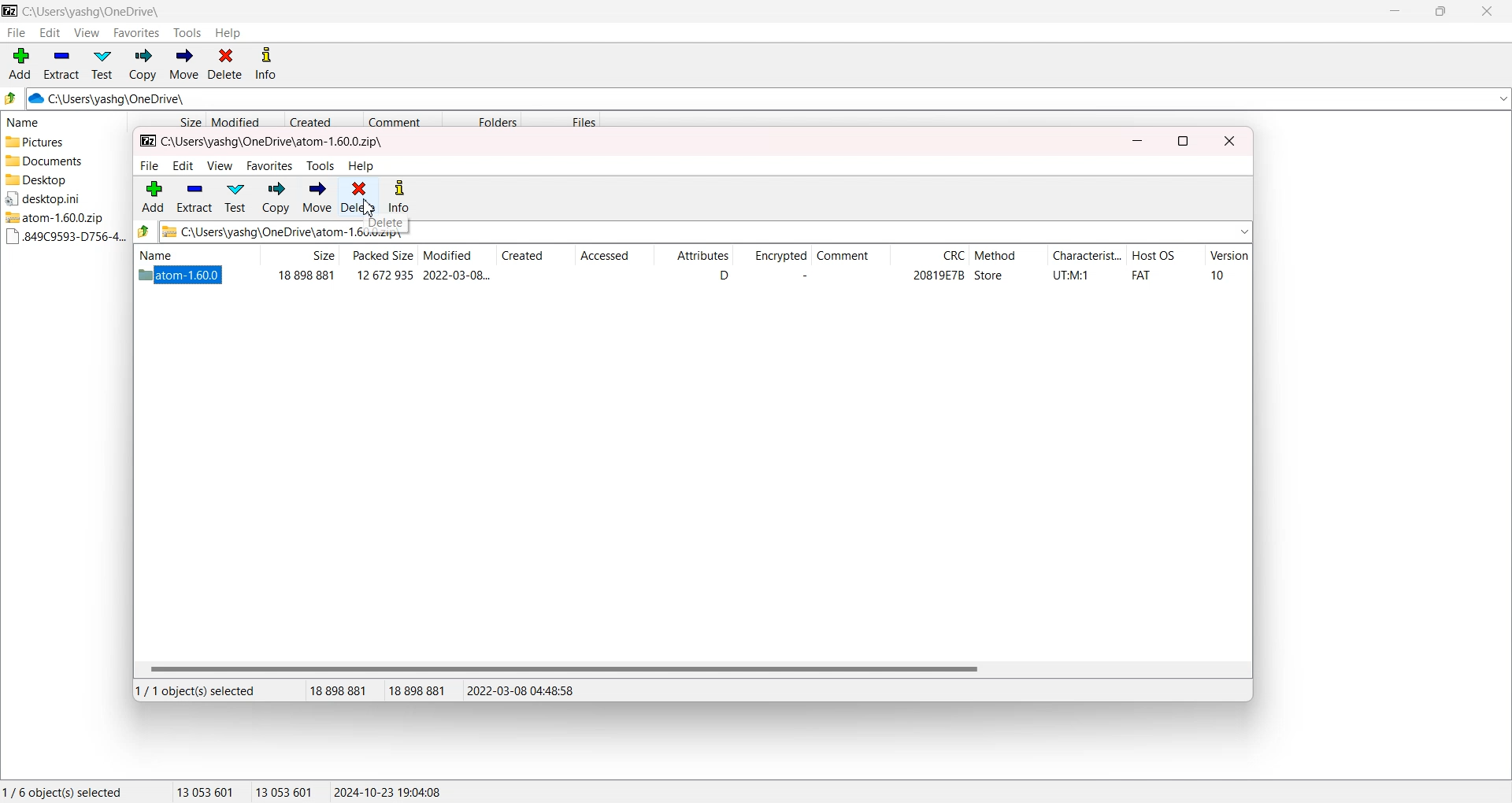 This screenshot has height=803, width=1512. Describe the element at coordinates (358, 197) in the screenshot. I see `delete` at that location.